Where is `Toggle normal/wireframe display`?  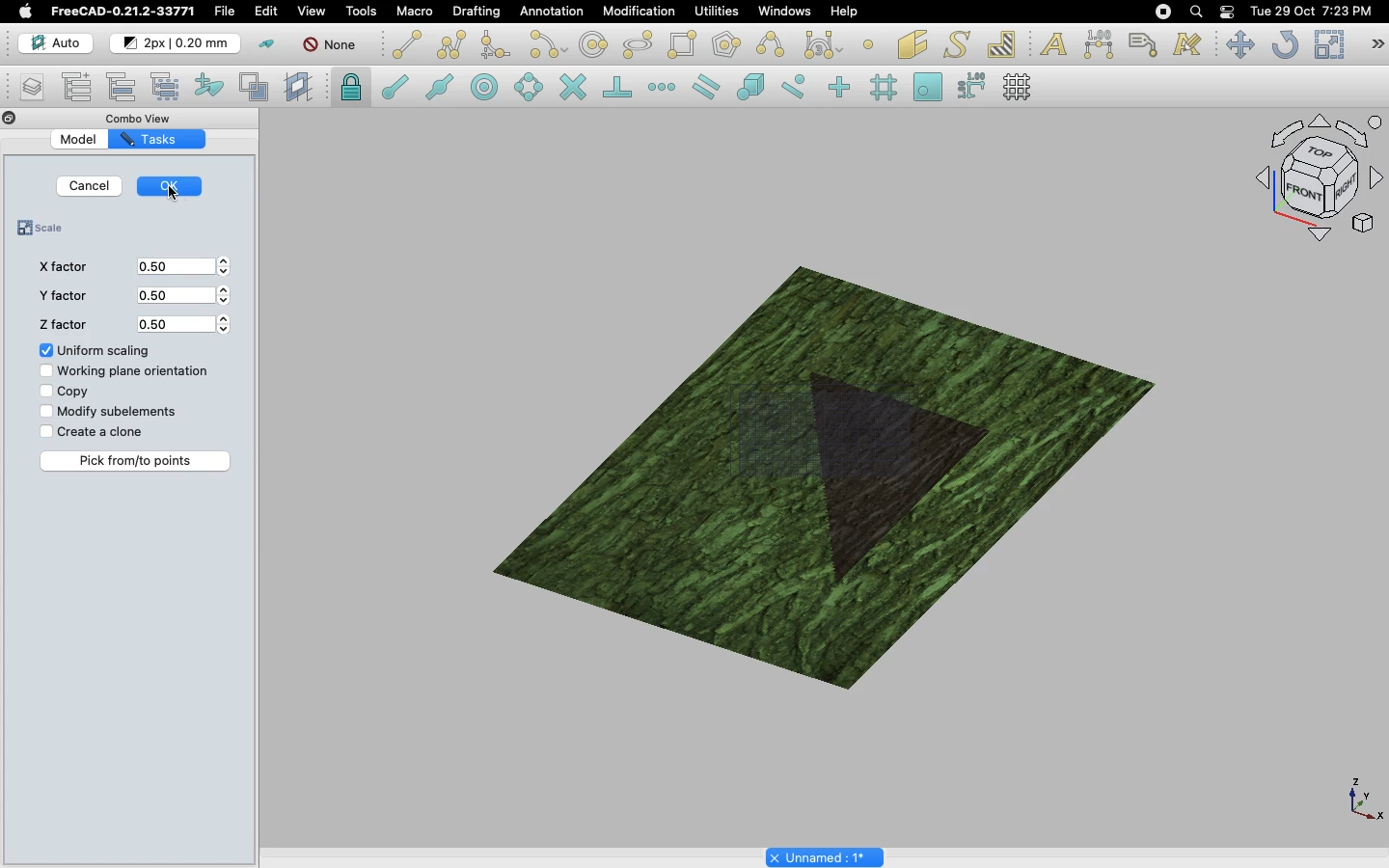 Toggle normal/wireframe display is located at coordinates (255, 87).